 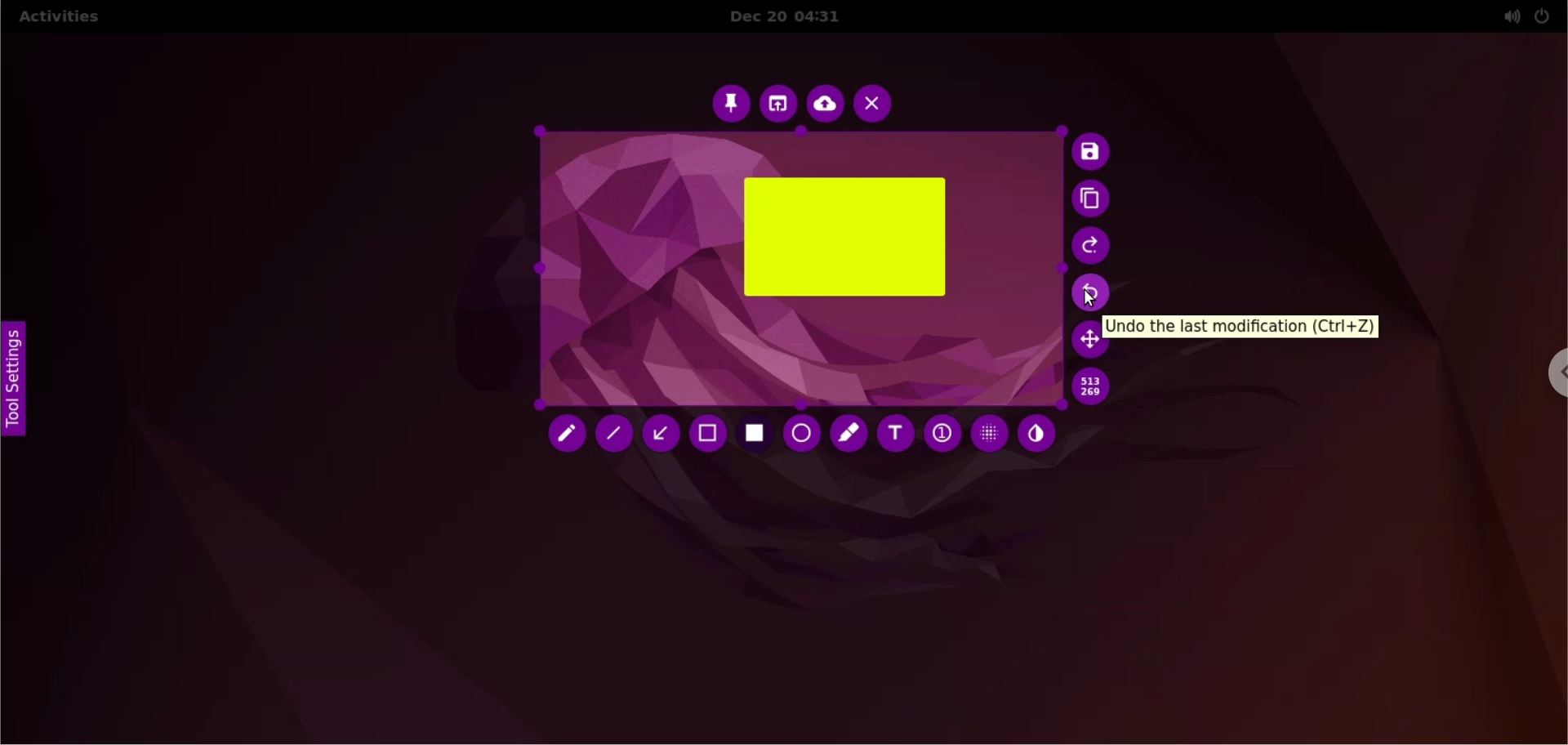 What do you see at coordinates (1087, 300) in the screenshot?
I see `cursor` at bounding box center [1087, 300].